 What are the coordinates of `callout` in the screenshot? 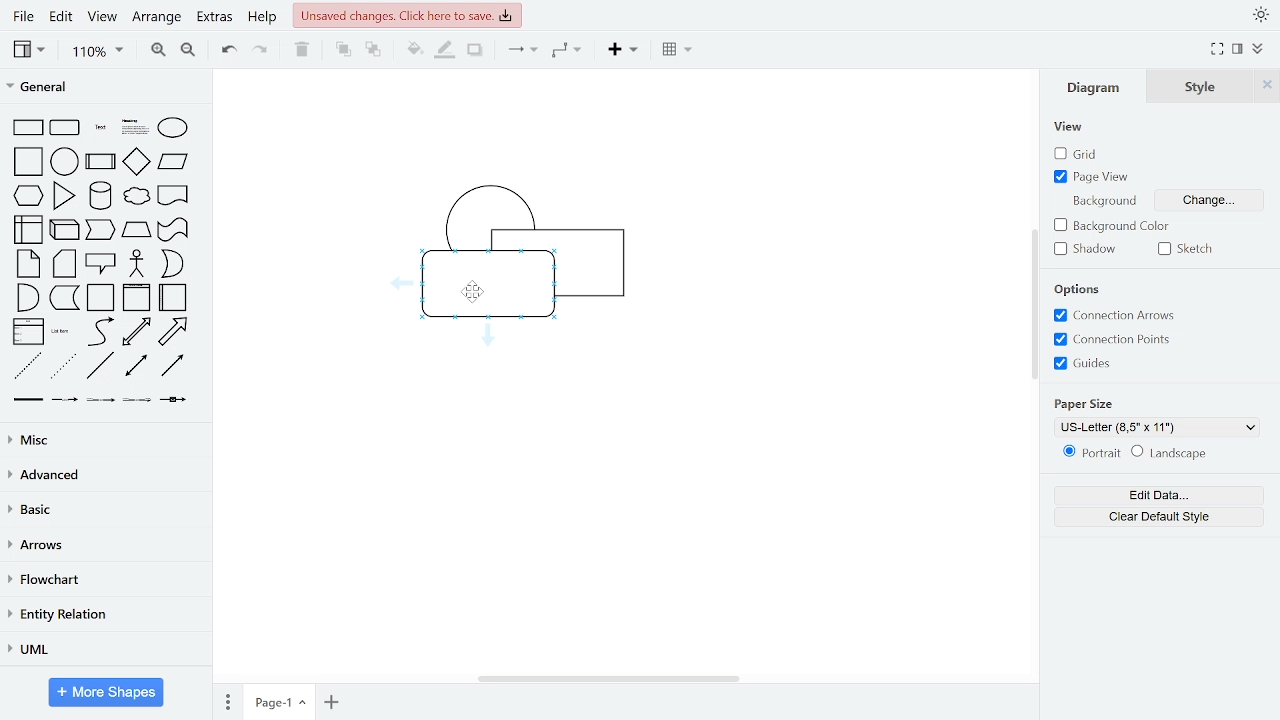 It's located at (101, 262).